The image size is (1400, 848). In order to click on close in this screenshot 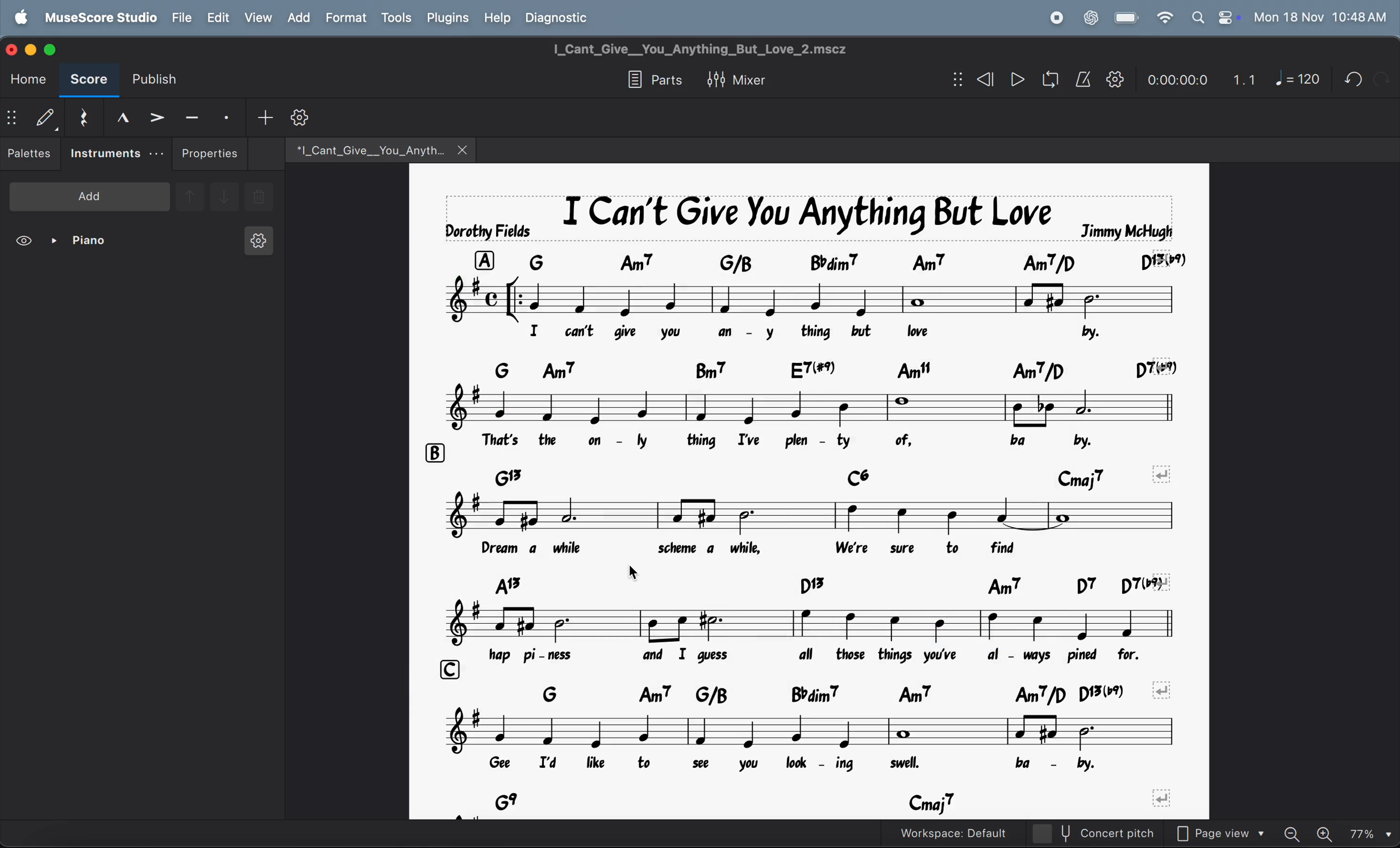, I will do `click(464, 149)`.